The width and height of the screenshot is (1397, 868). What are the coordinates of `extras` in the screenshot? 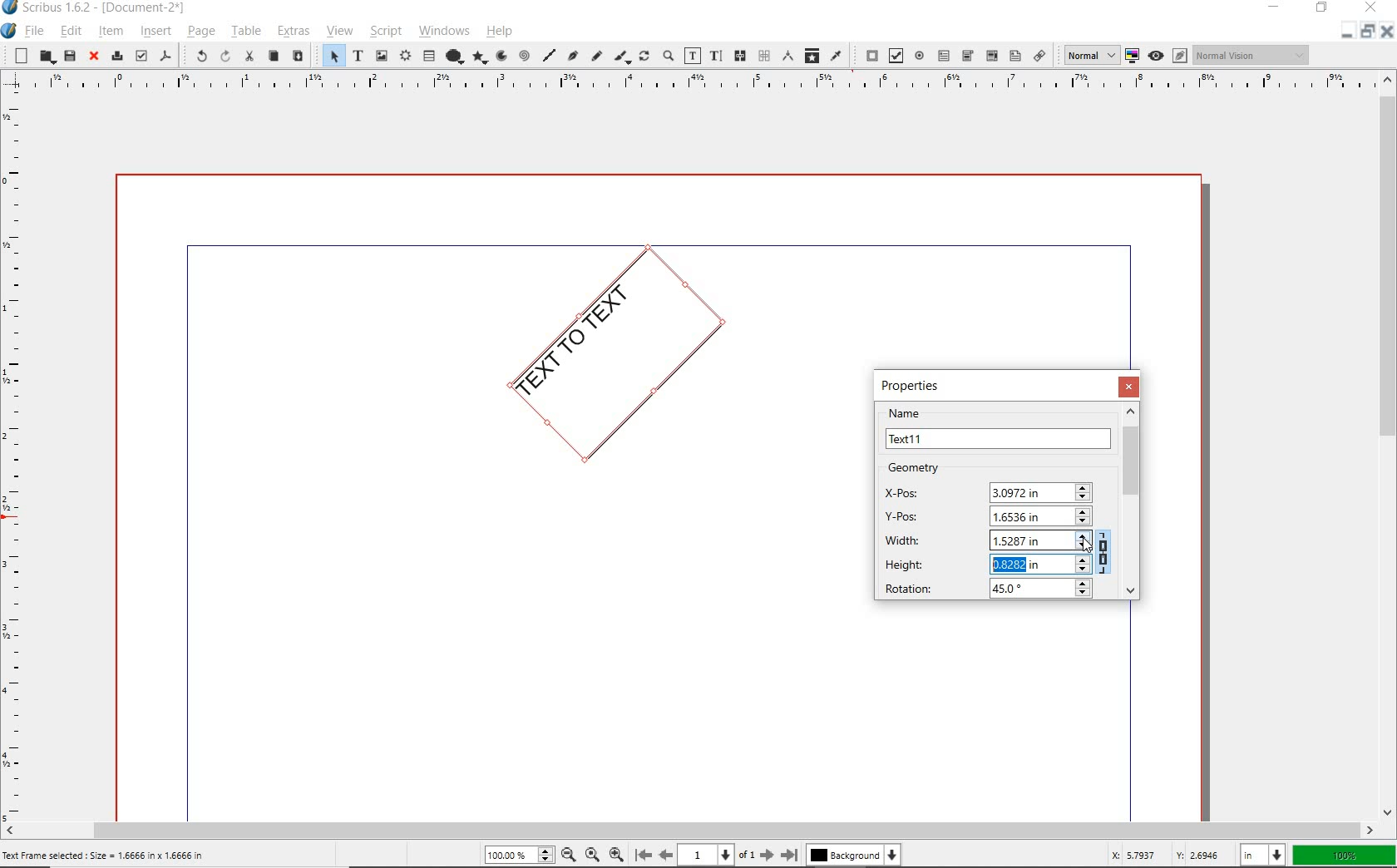 It's located at (294, 31).